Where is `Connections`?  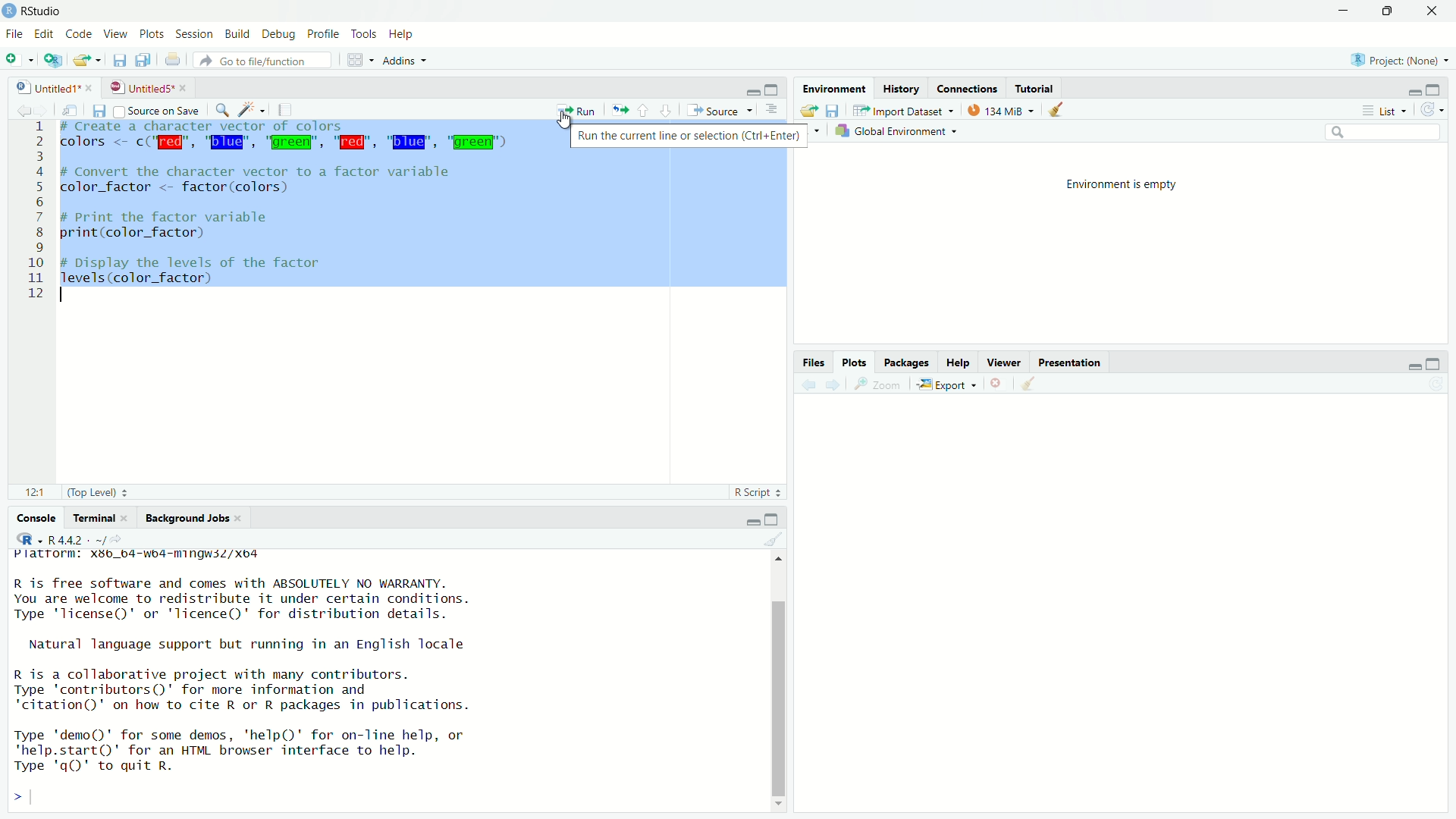
Connections is located at coordinates (969, 88).